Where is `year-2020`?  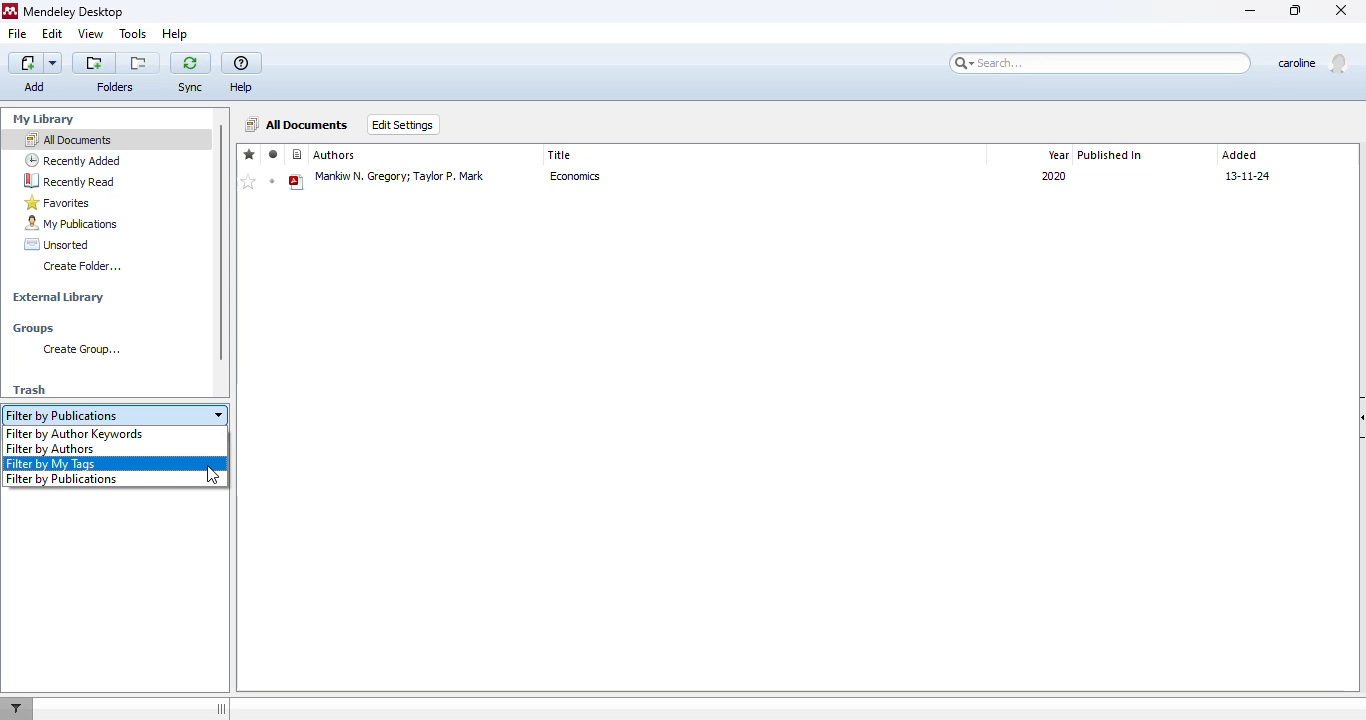 year-2020 is located at coordinates (1051, 180).